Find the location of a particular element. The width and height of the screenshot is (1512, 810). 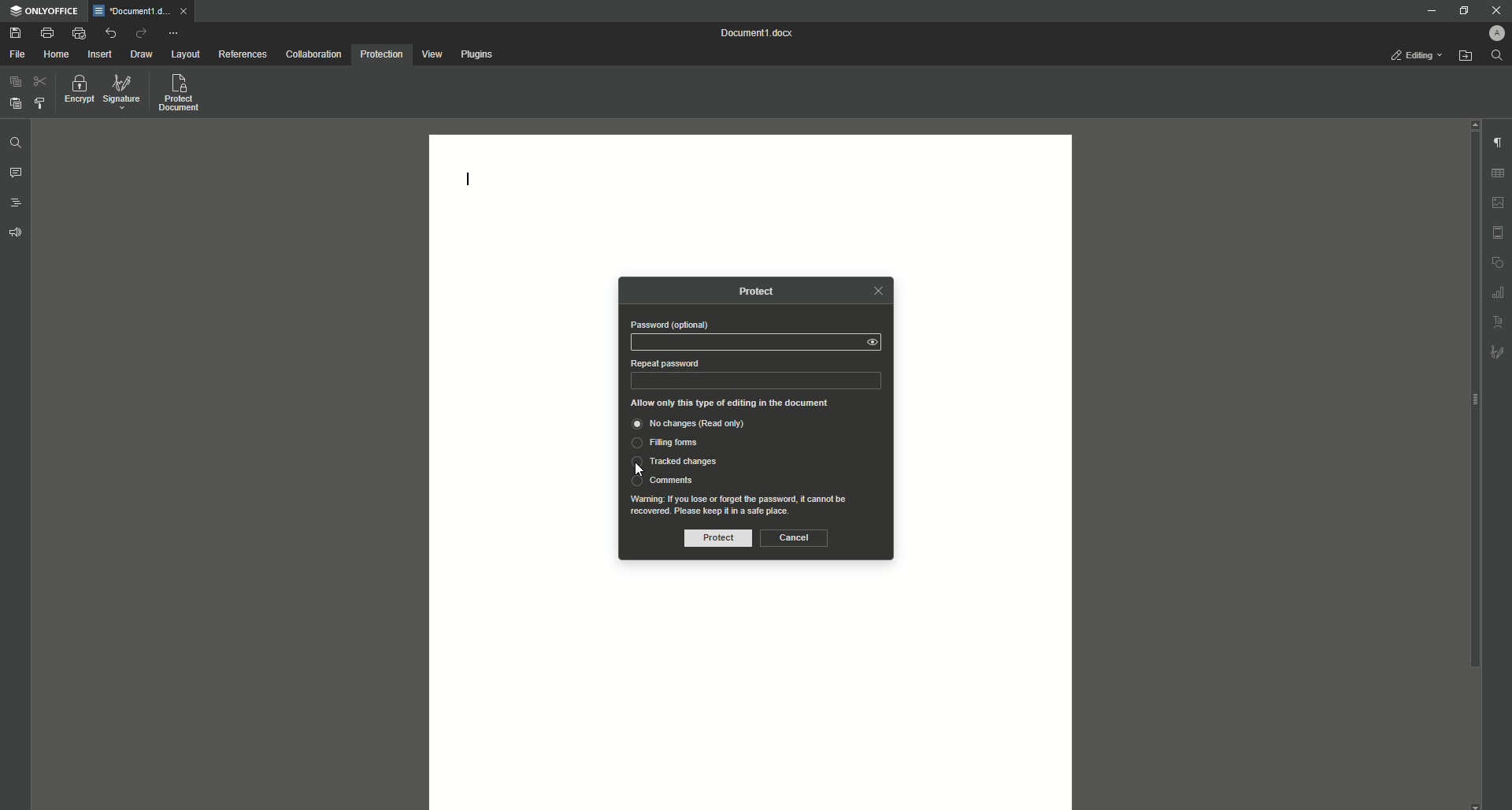

Allow only this type of editing is located at coordinates (728, 403).